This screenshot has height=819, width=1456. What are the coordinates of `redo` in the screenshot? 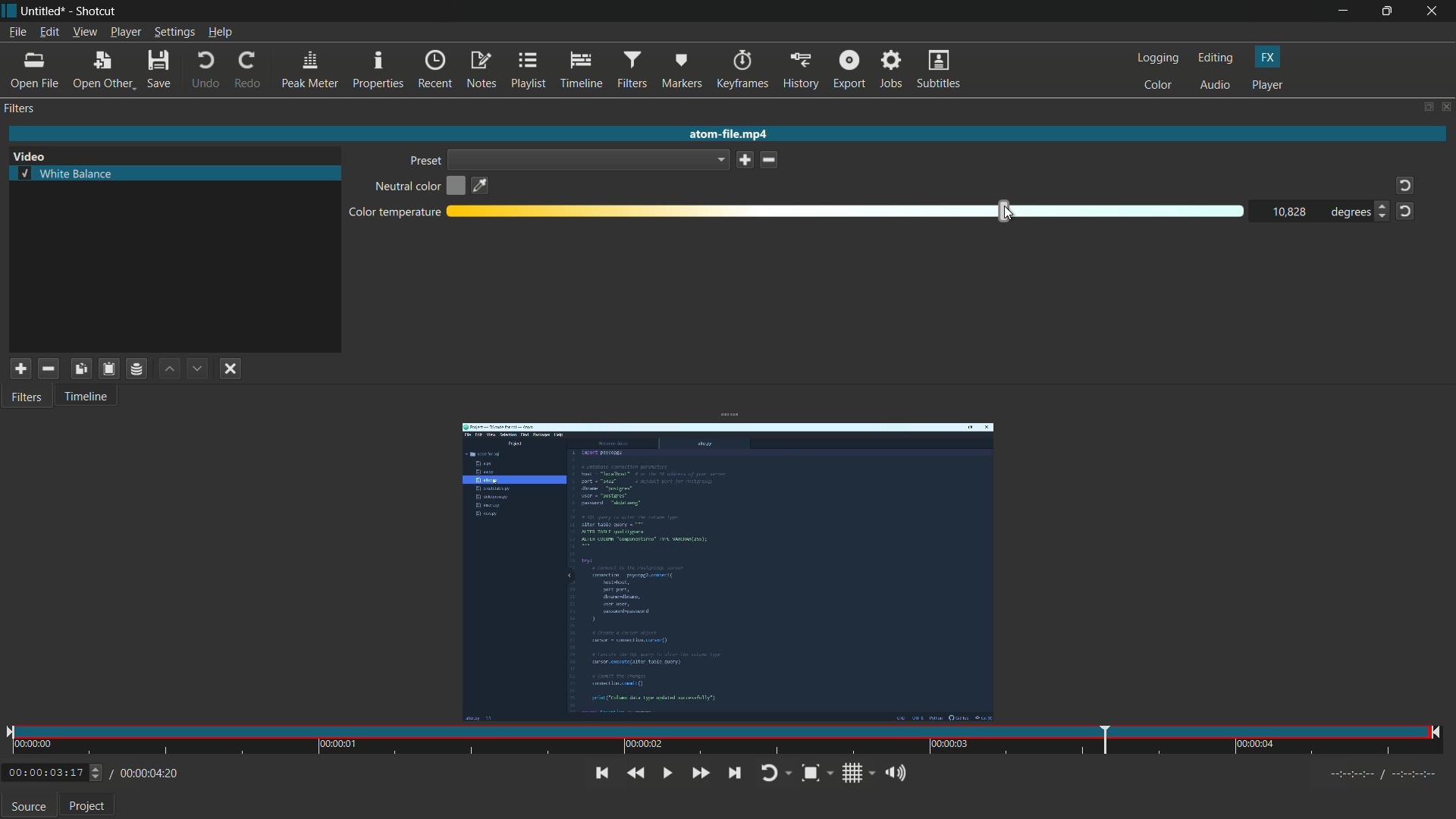 It's located at (249, 67).